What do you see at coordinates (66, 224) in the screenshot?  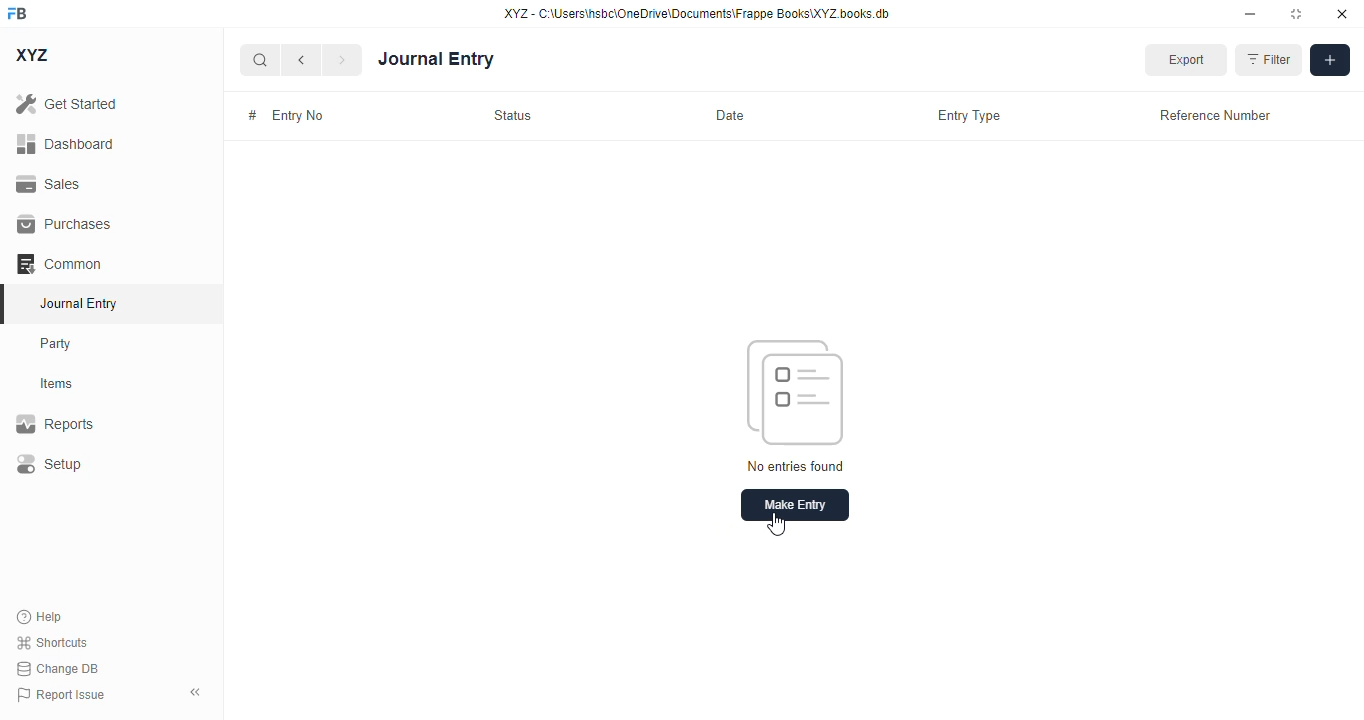 I see `purchases` at bounding box center [66, 224].